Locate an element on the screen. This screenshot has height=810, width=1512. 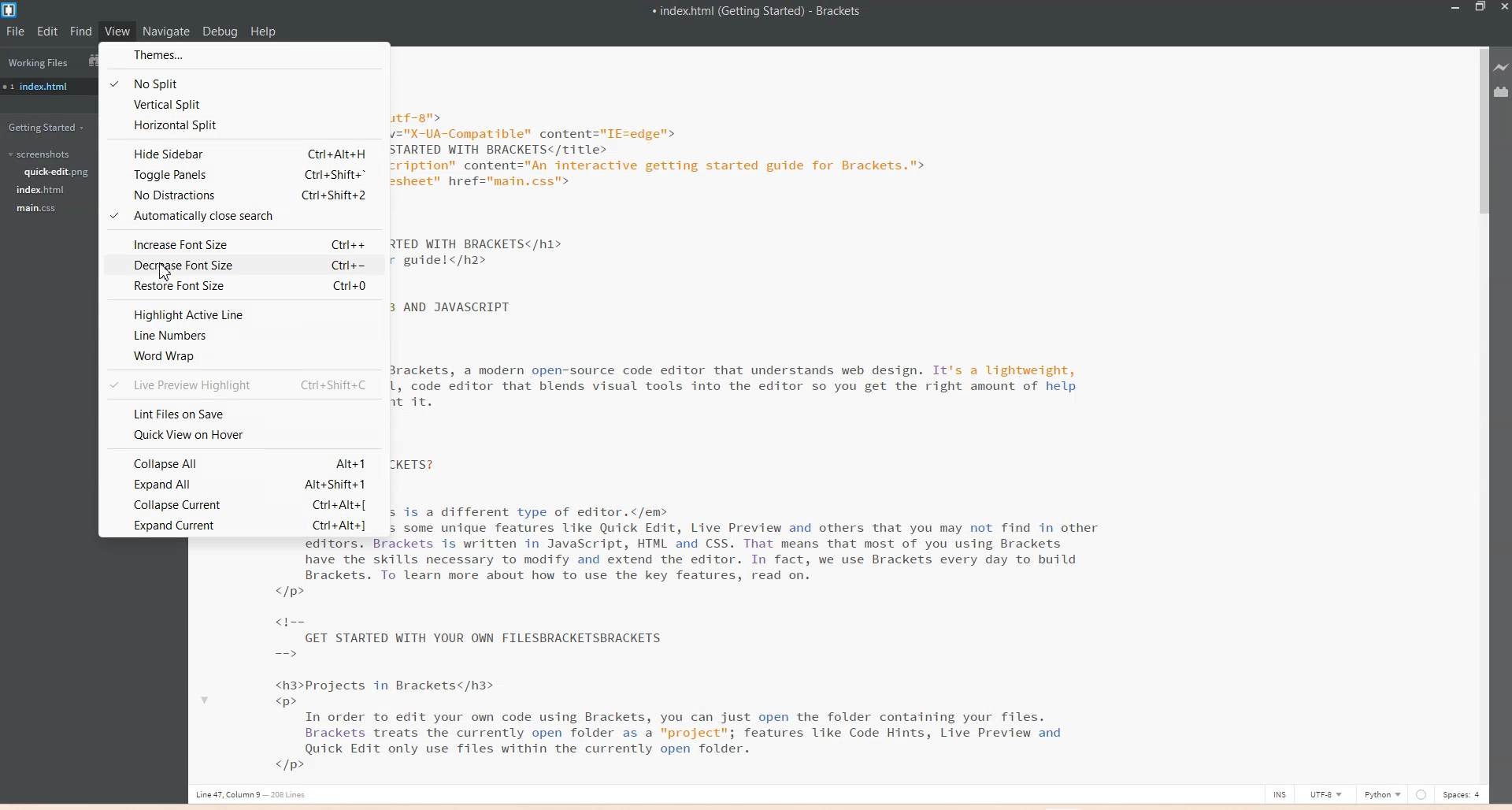
No Distractions is located at coordinates (244, 196).